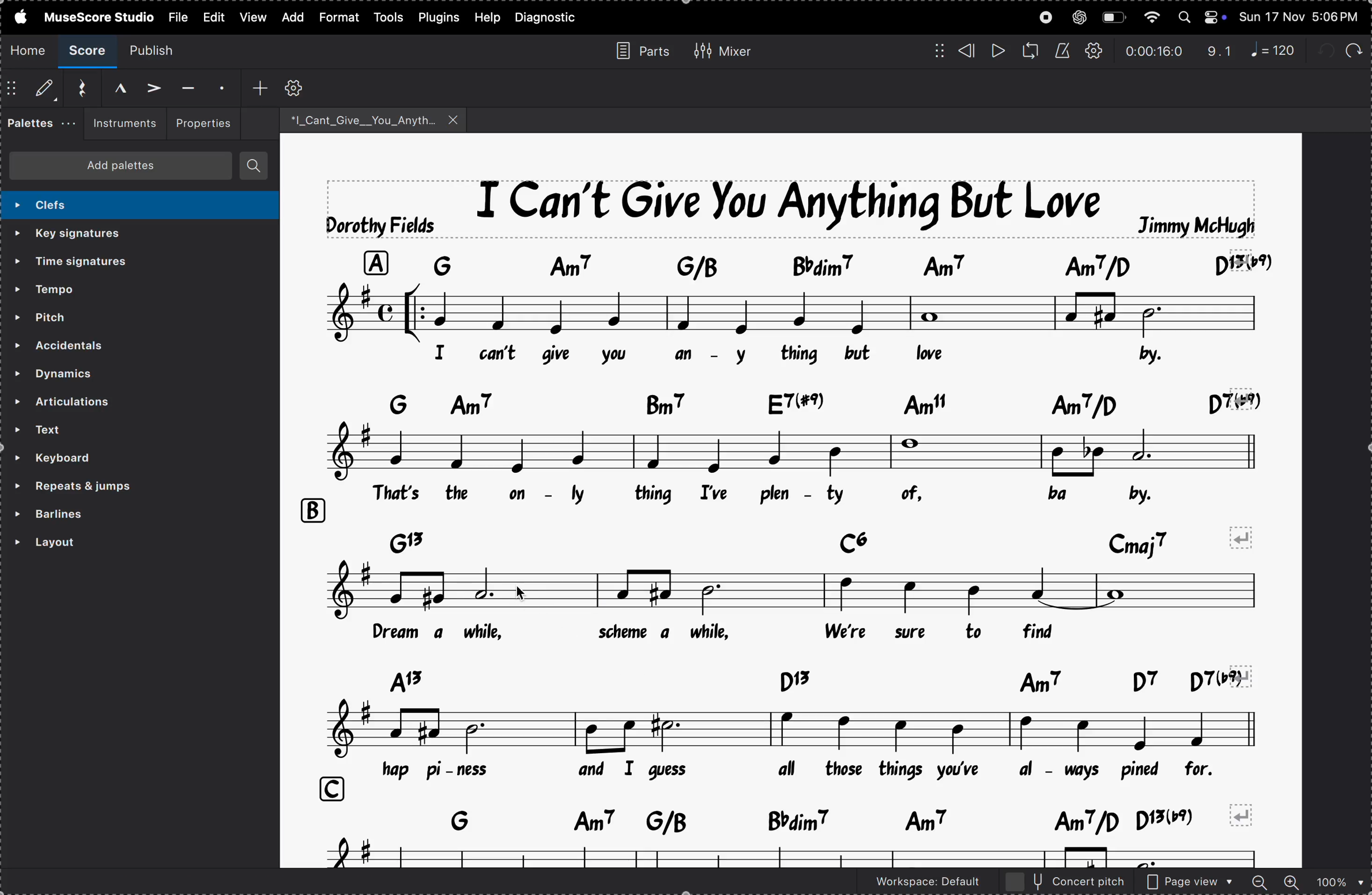  What do you see at coordinates (290, 17) in the screenshot?
I see `add` at bounding box center [290, 17].